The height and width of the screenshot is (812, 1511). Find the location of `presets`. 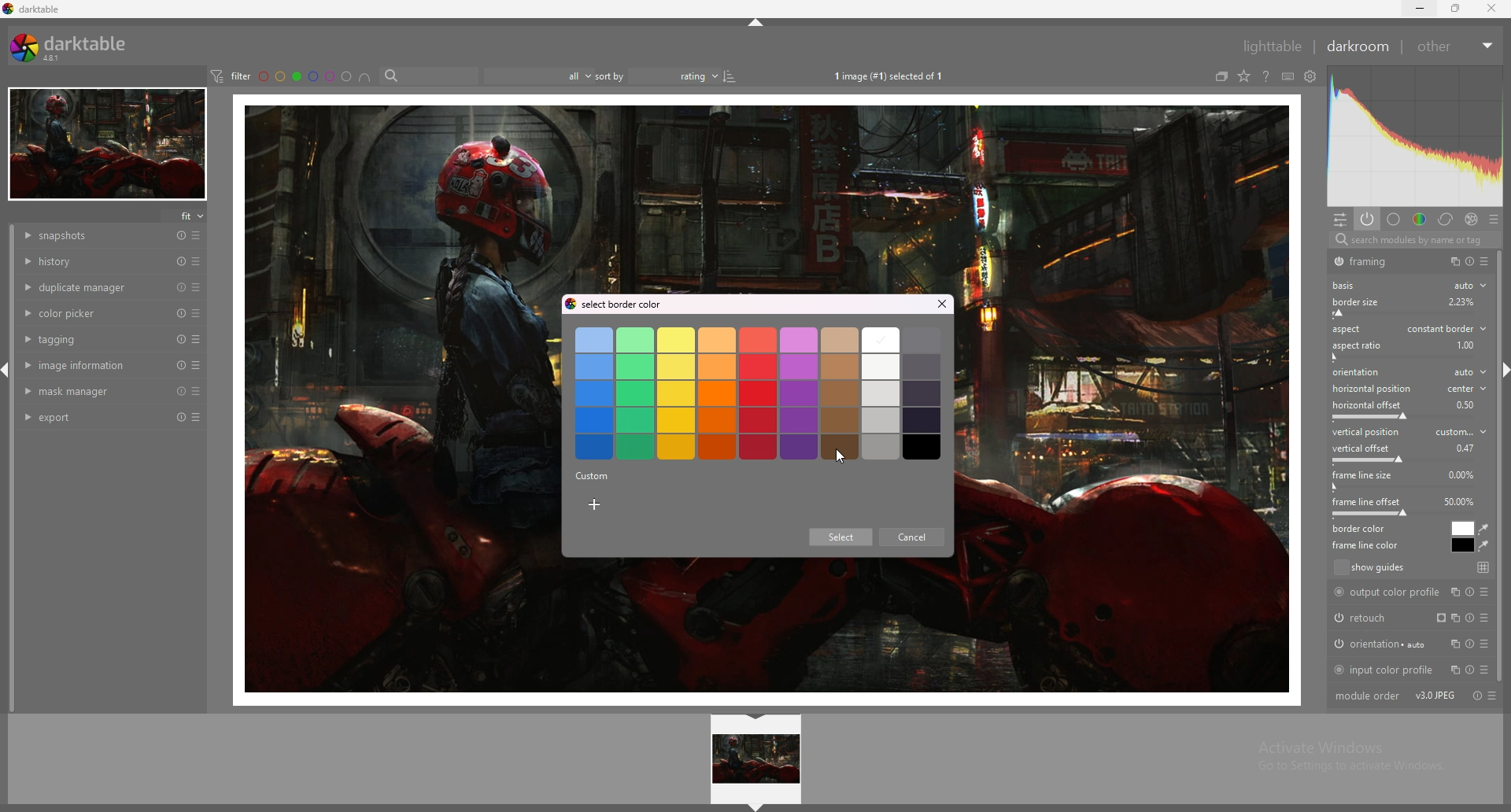

presets is located at coordinates (197, 365).